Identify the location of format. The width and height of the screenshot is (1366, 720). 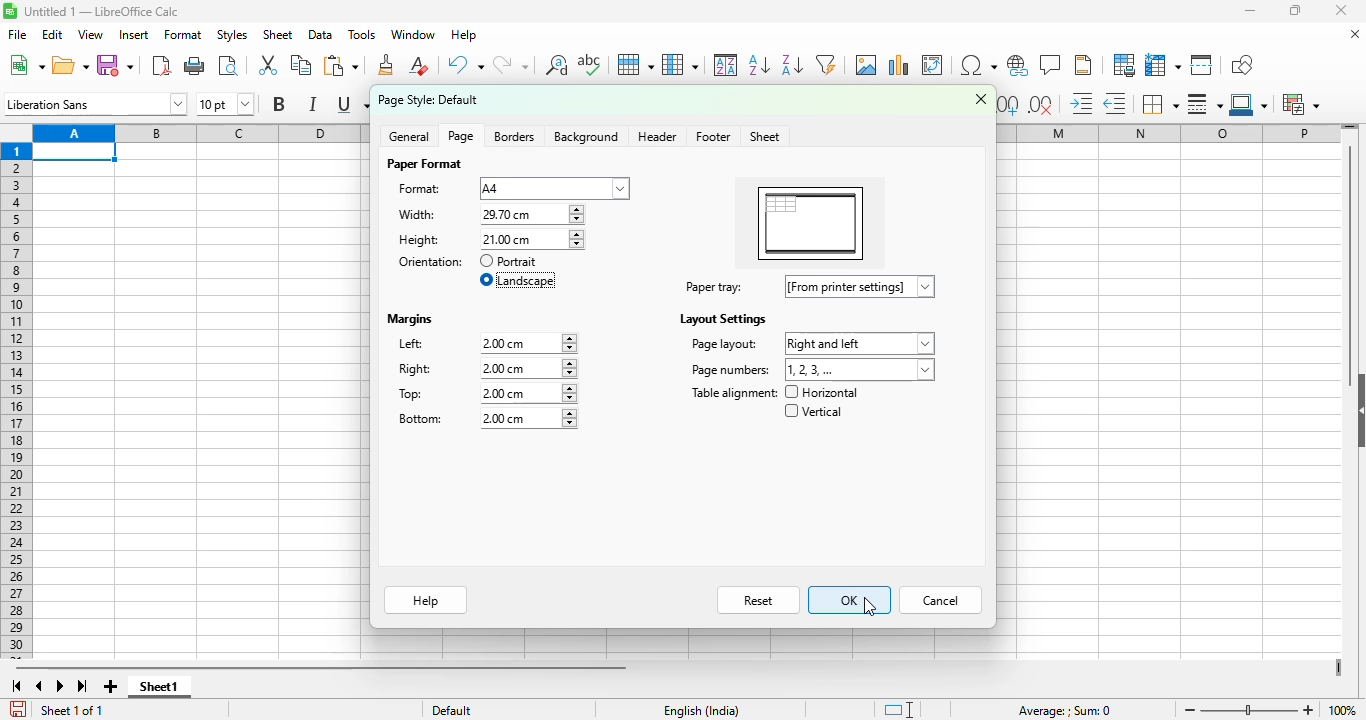
(184, 35).